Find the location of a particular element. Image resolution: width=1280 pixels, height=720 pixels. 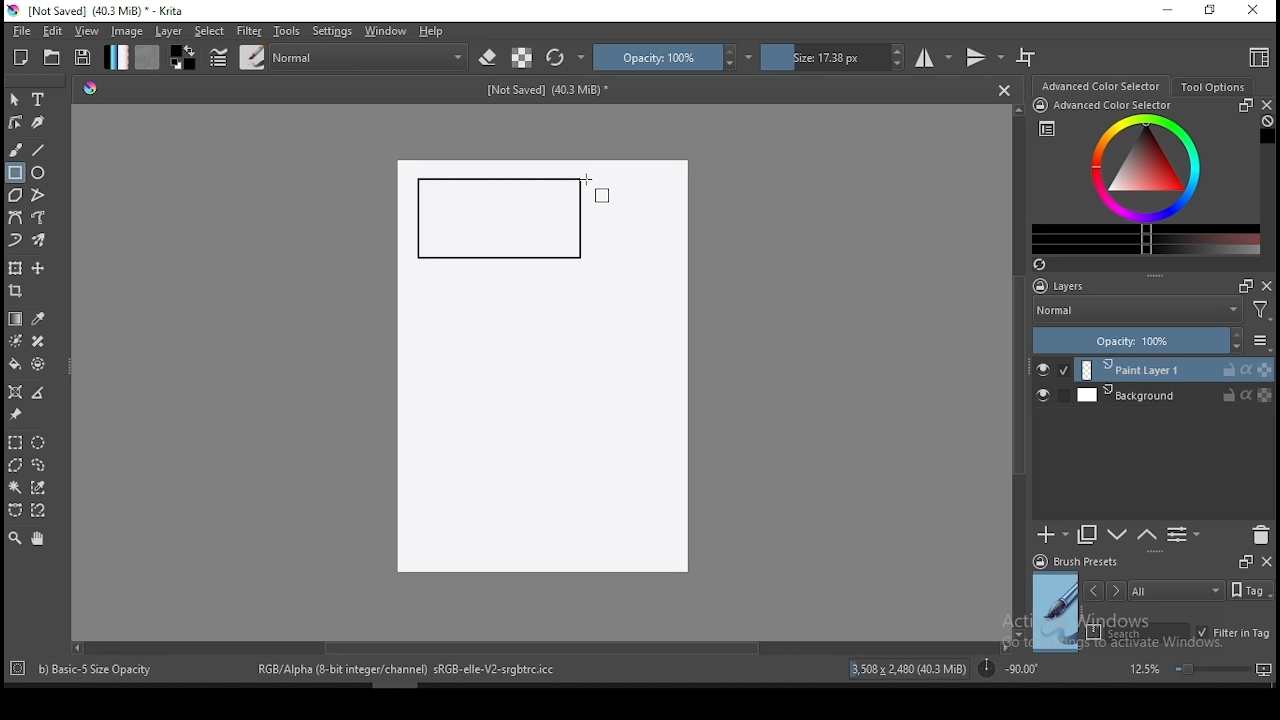

tools is located at coordinates (287, 31).